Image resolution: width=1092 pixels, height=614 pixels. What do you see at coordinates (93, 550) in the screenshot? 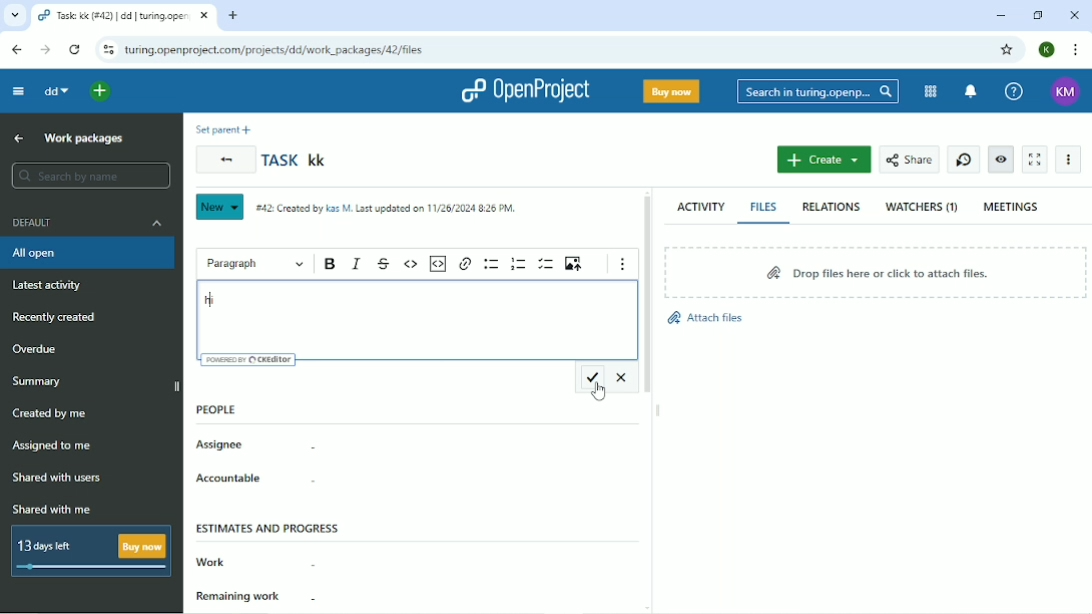
I see `13 days left Buy now` at bounding box center [93, 550].